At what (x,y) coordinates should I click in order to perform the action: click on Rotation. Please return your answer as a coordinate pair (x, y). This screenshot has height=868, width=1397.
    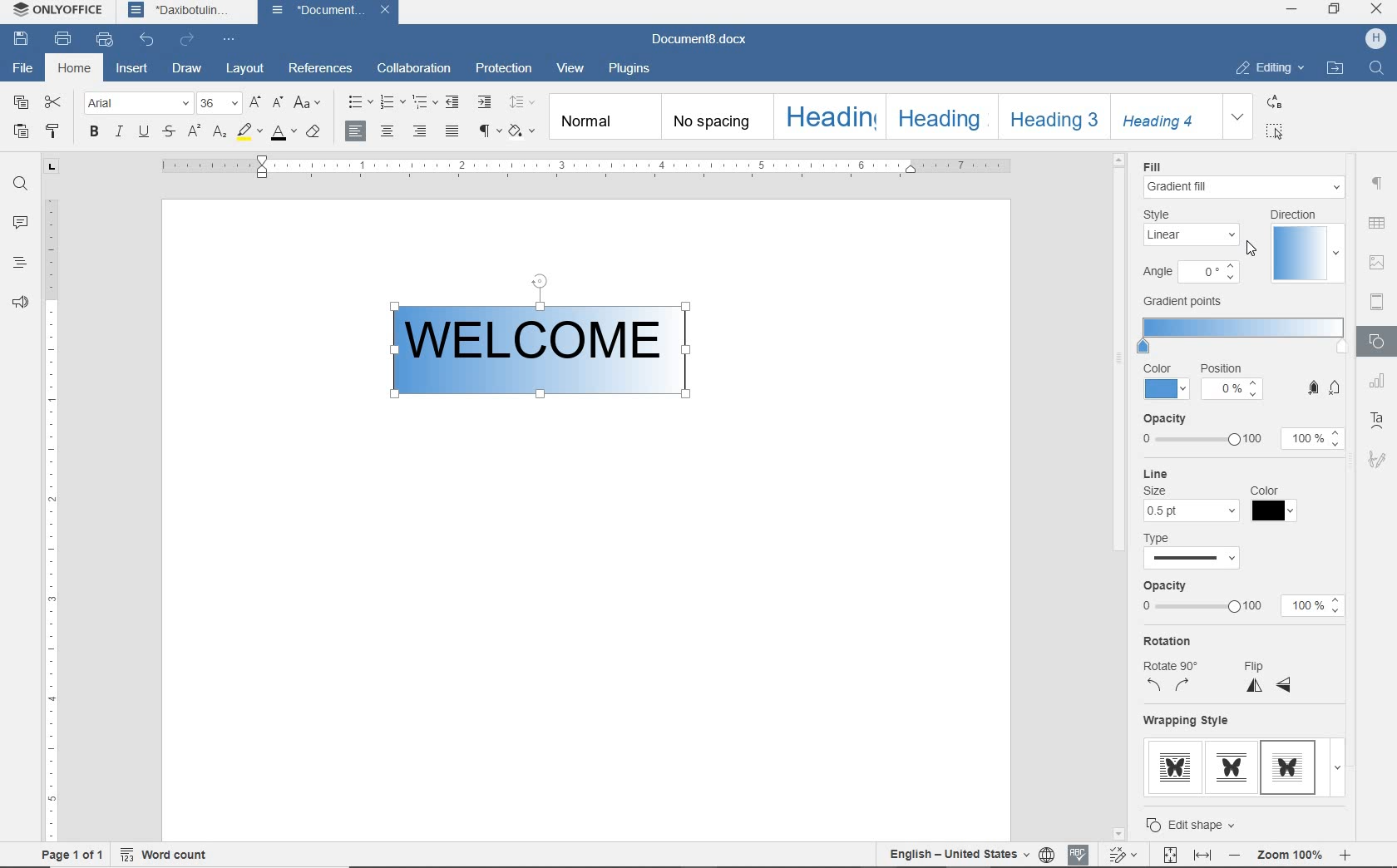
    Looking at the image, I should click on (1167, 639).